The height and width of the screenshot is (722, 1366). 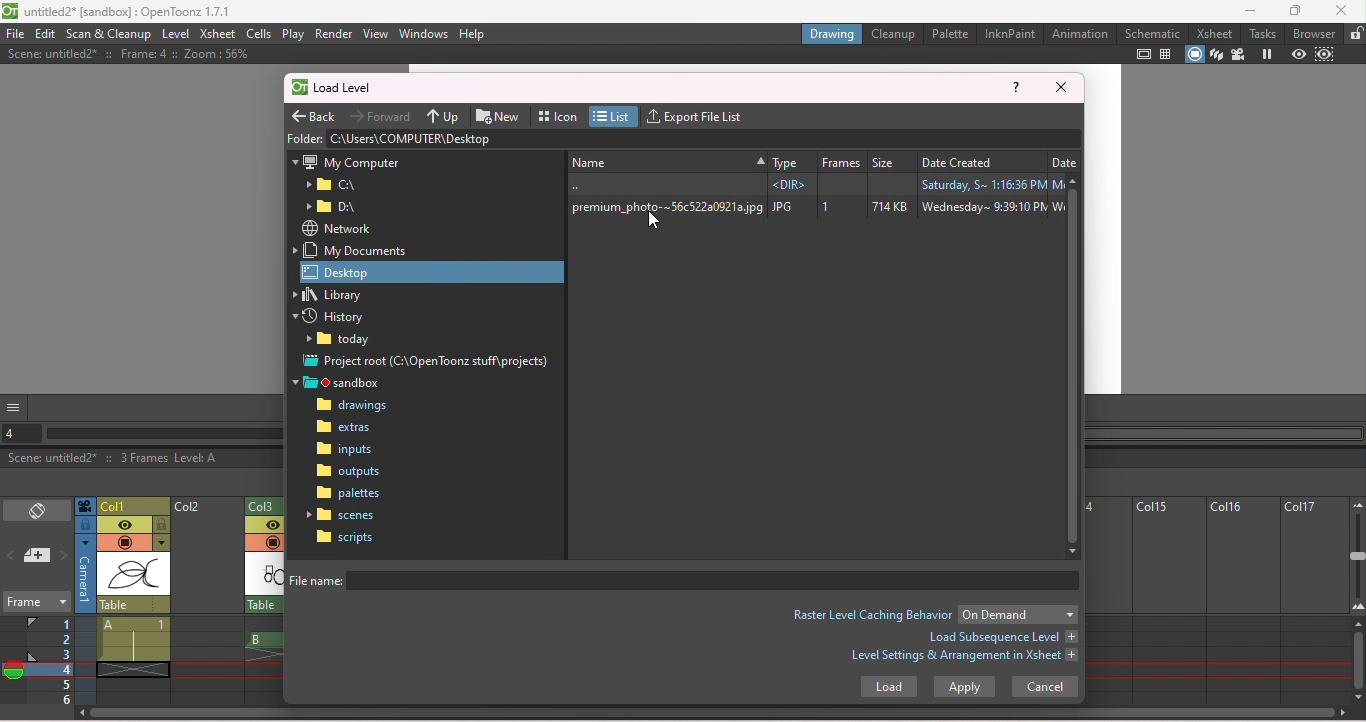 I want to click on Apply, so click(x=966, y=688).